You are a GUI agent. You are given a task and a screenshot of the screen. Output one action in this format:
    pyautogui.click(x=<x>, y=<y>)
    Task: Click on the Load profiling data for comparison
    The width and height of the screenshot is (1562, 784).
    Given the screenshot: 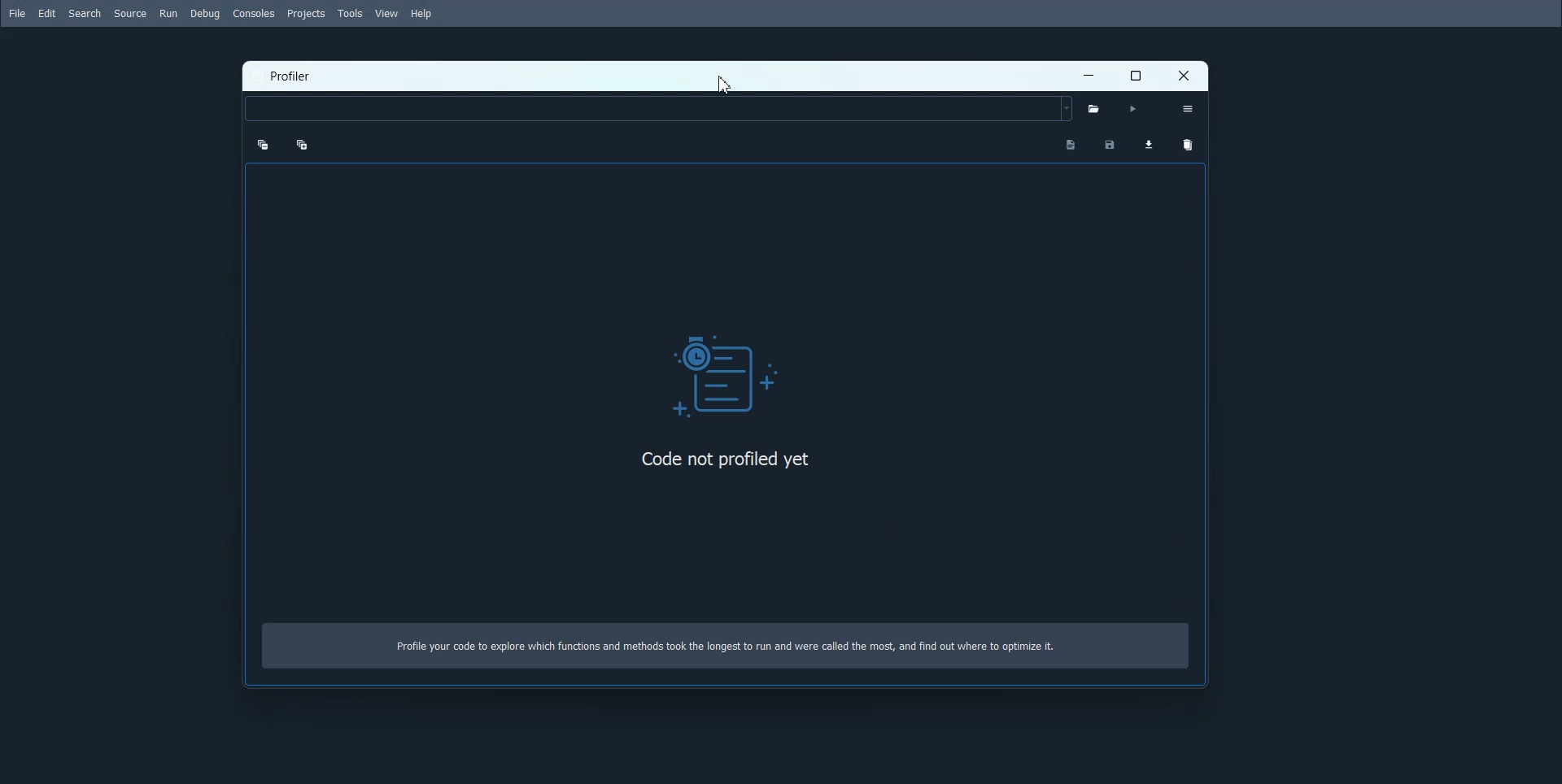 What is the action you would take?
    pyautogui.click(x=1151, y=145)
    